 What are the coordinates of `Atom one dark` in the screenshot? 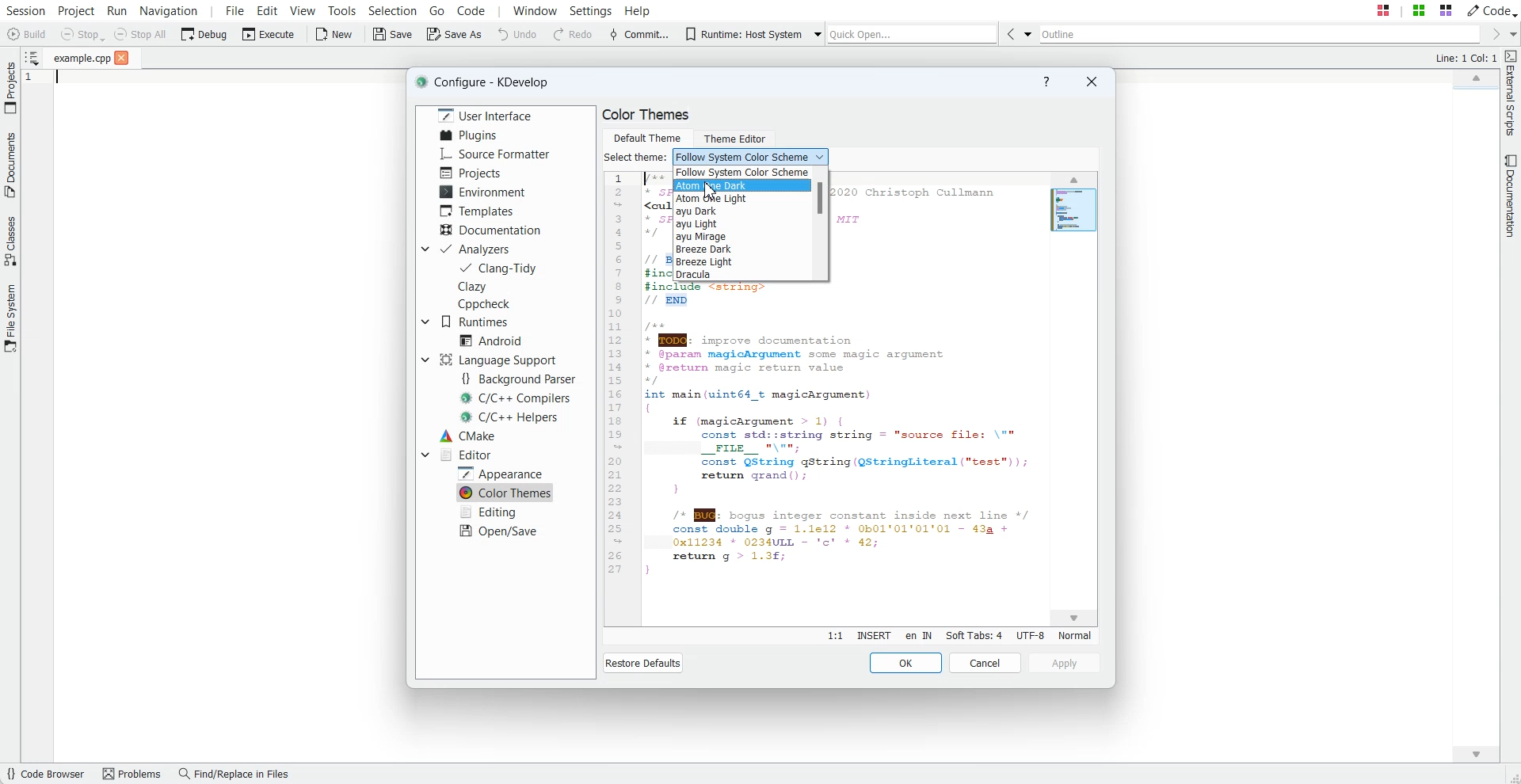 It's located at (744, 185).